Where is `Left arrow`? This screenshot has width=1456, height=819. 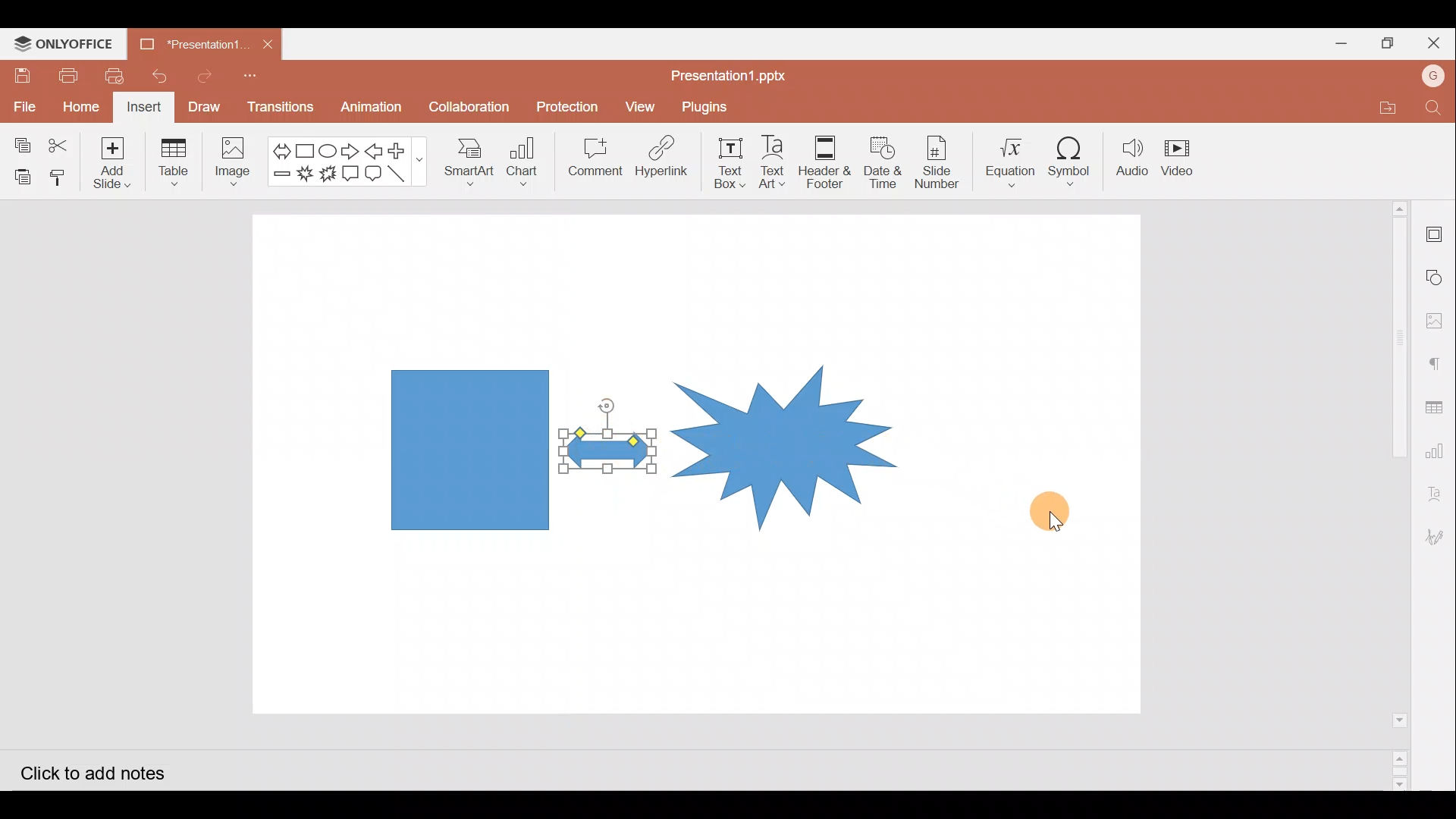
Left arrow is located at coordinates (377, 151).